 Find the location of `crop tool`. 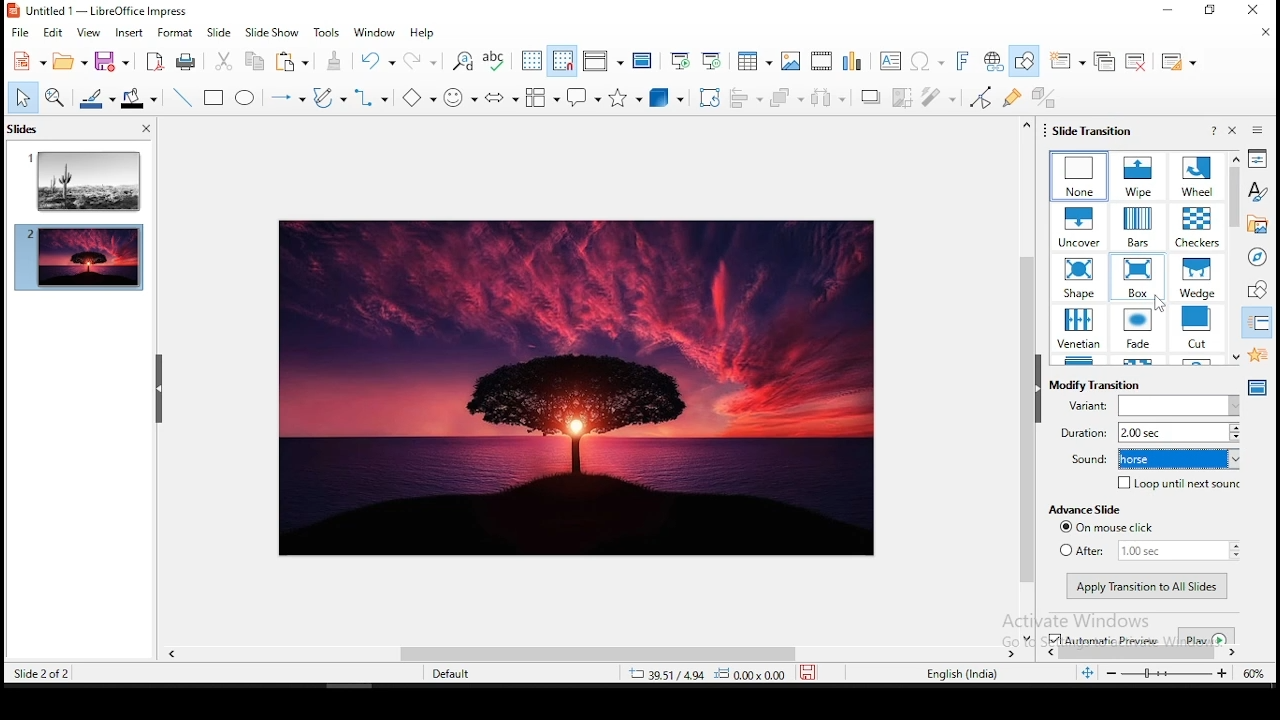

crop tool is located at coordinates (709, 96).